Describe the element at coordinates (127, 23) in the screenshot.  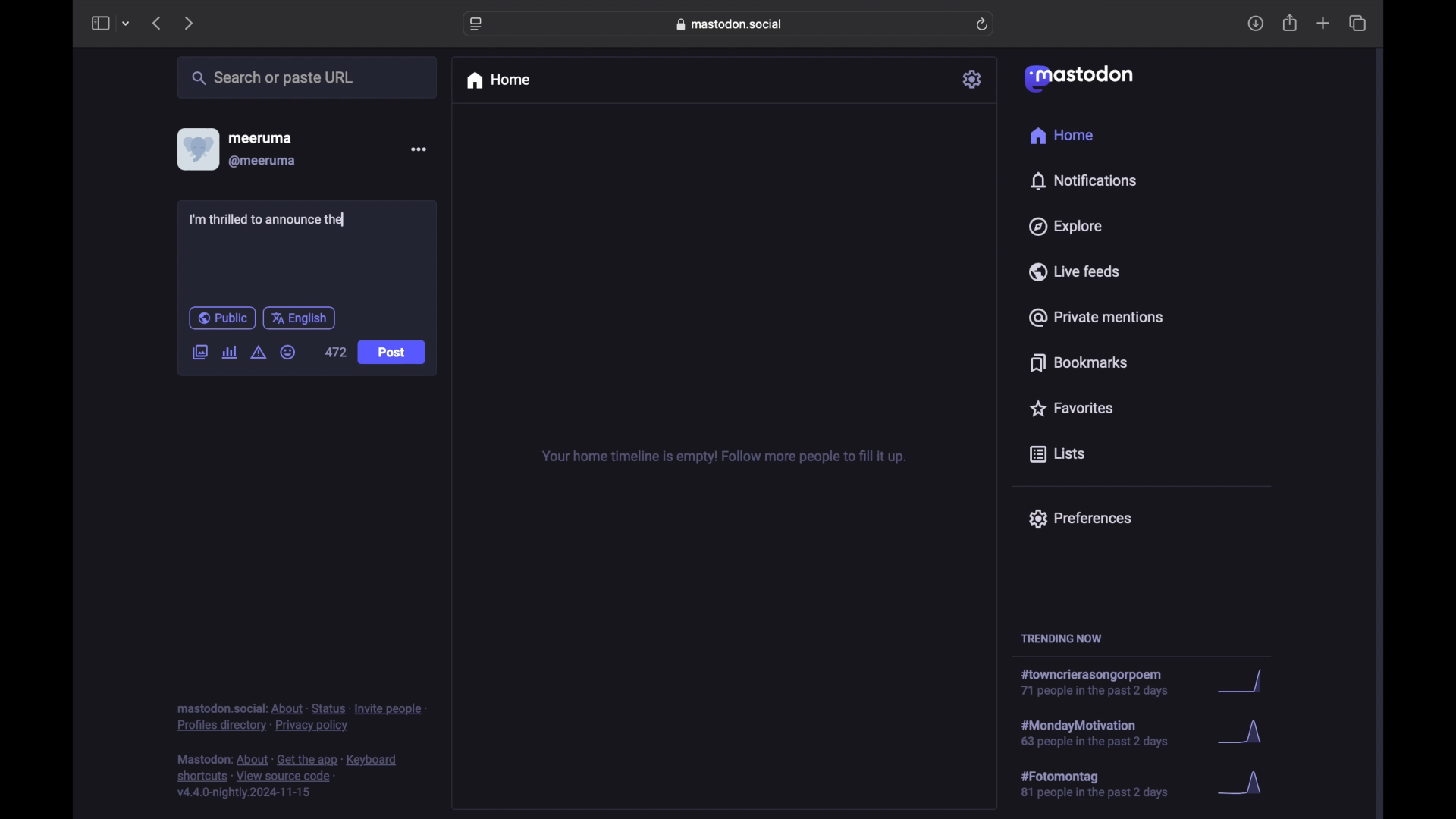
I see `tab group picker` at that location.